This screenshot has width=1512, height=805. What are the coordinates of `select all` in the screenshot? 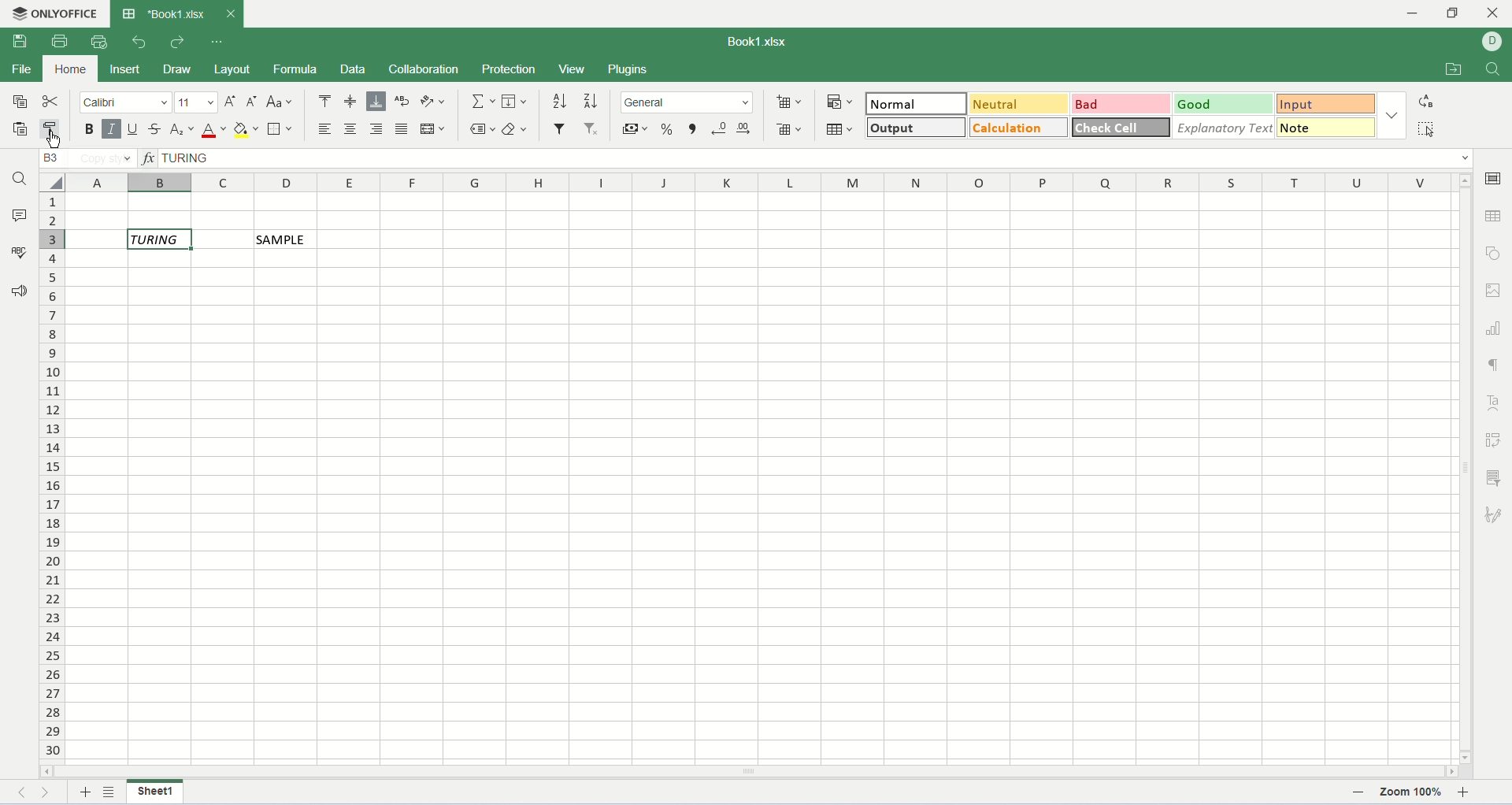 It's located at (1425, 128).